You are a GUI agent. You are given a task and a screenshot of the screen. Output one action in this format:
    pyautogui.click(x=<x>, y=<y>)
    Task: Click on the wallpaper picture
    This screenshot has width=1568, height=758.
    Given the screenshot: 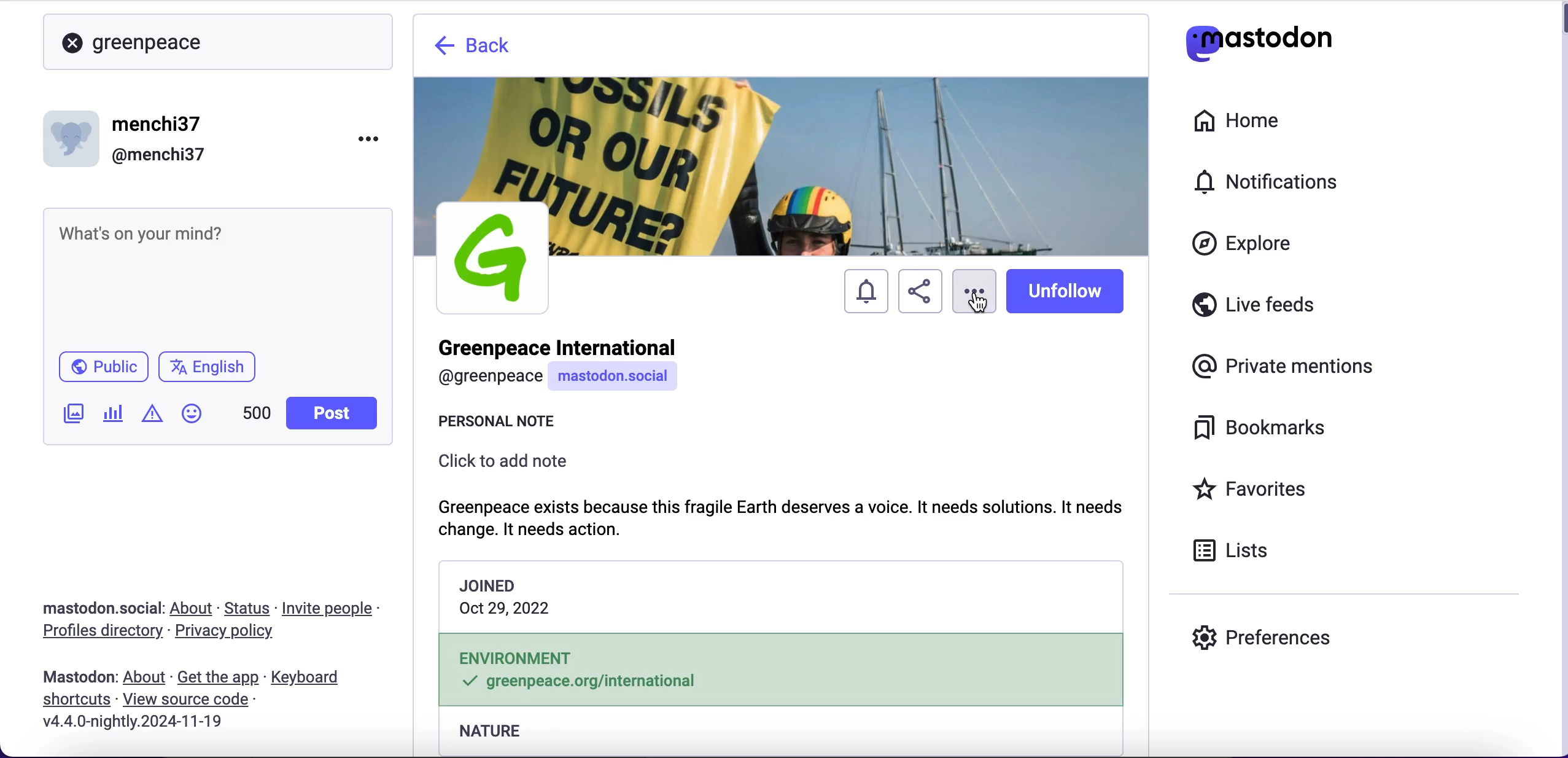 What is the action you would take?
    pyautogui.click(x=782, y=138)
    